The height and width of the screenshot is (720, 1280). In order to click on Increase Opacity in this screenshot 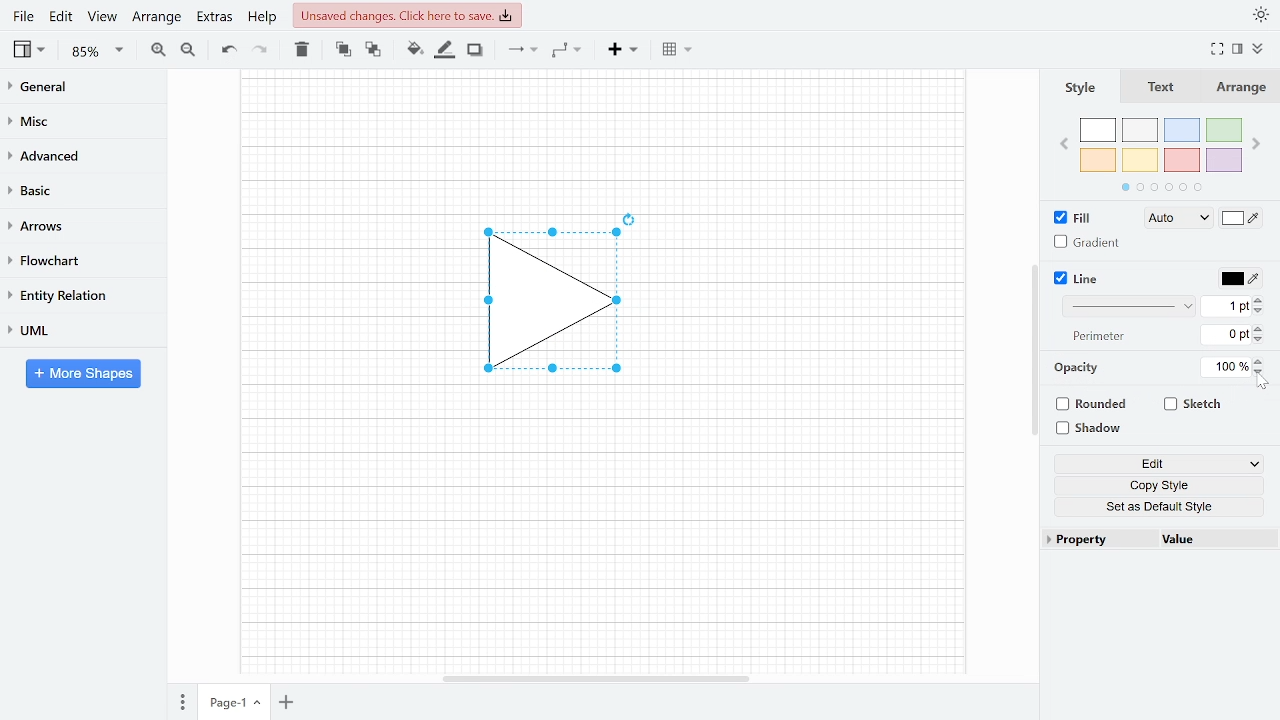, I will do `click(1260, 360)`.